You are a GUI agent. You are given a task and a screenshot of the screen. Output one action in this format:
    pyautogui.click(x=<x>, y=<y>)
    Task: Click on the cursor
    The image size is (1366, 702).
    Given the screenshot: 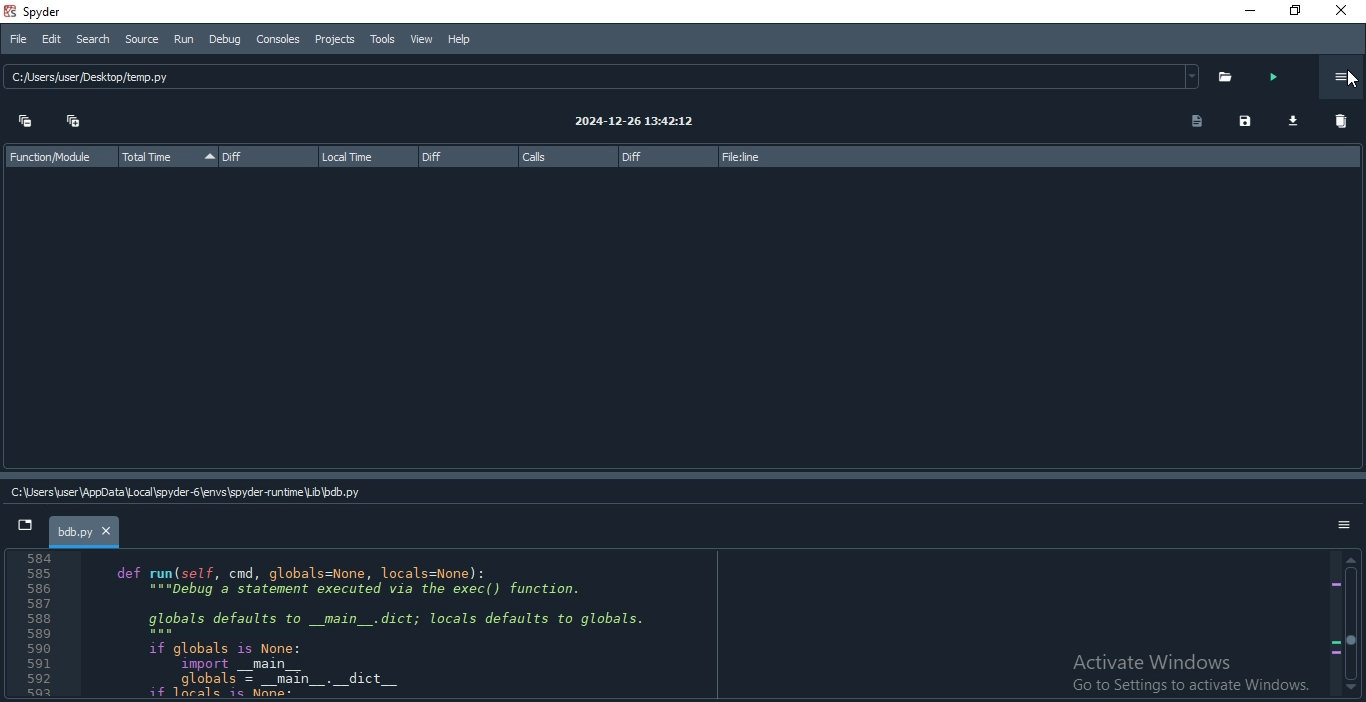 What is the action you would take?
    pyautogui.click(x=1350, y=78)
    